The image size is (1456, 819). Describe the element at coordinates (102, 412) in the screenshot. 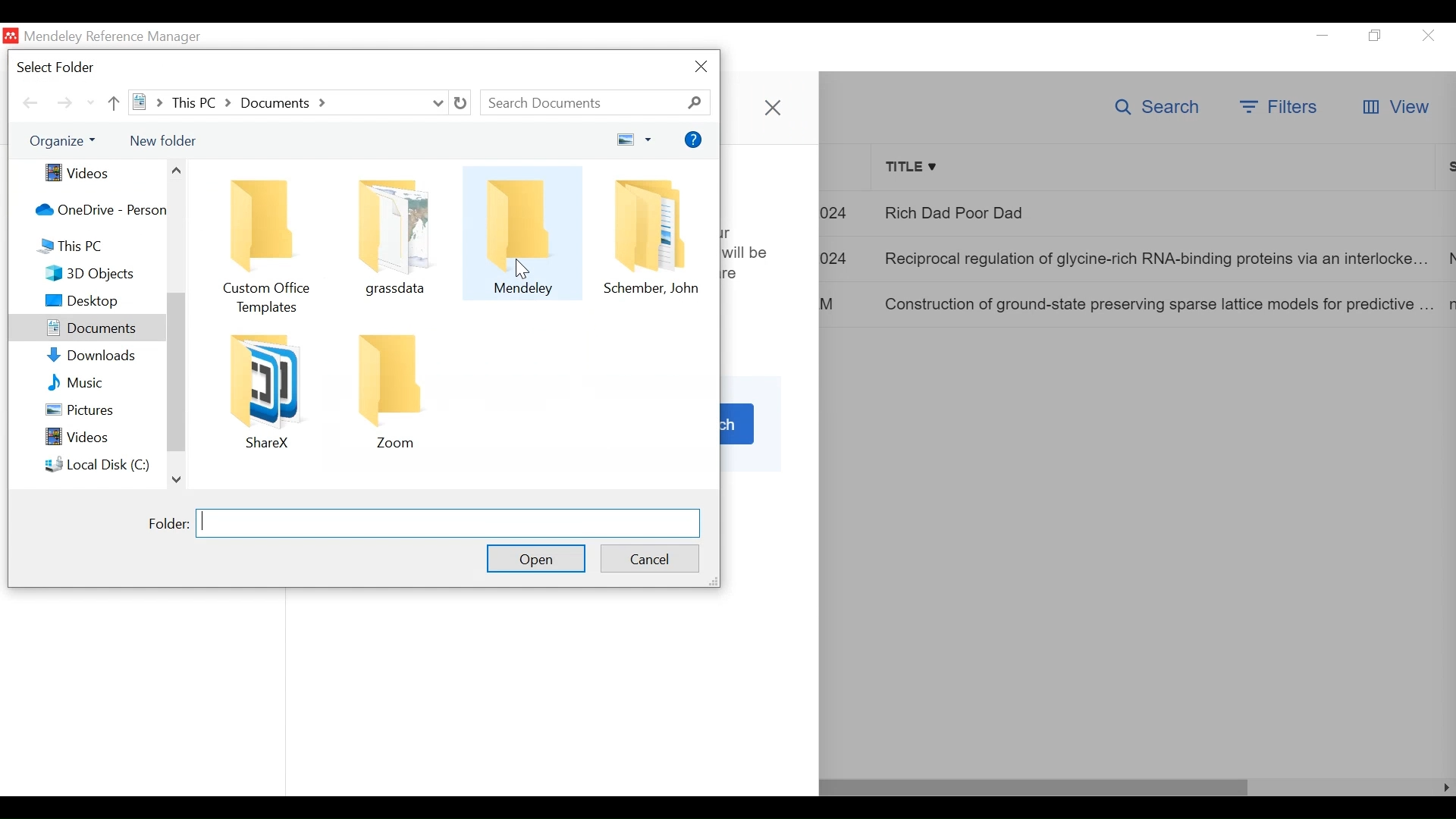

I see `Pictures` at that location.